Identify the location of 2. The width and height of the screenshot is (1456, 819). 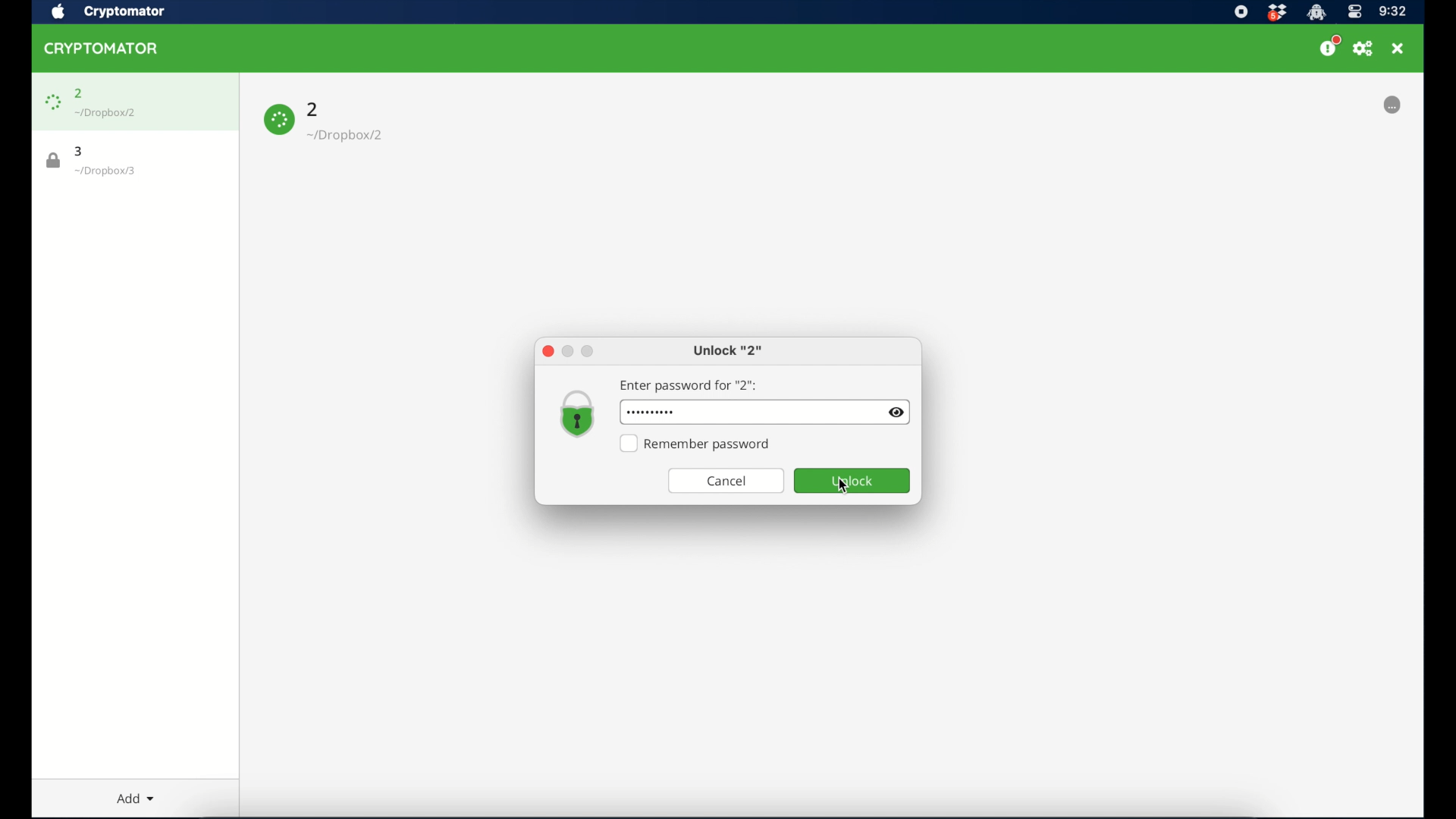
(80, 93).